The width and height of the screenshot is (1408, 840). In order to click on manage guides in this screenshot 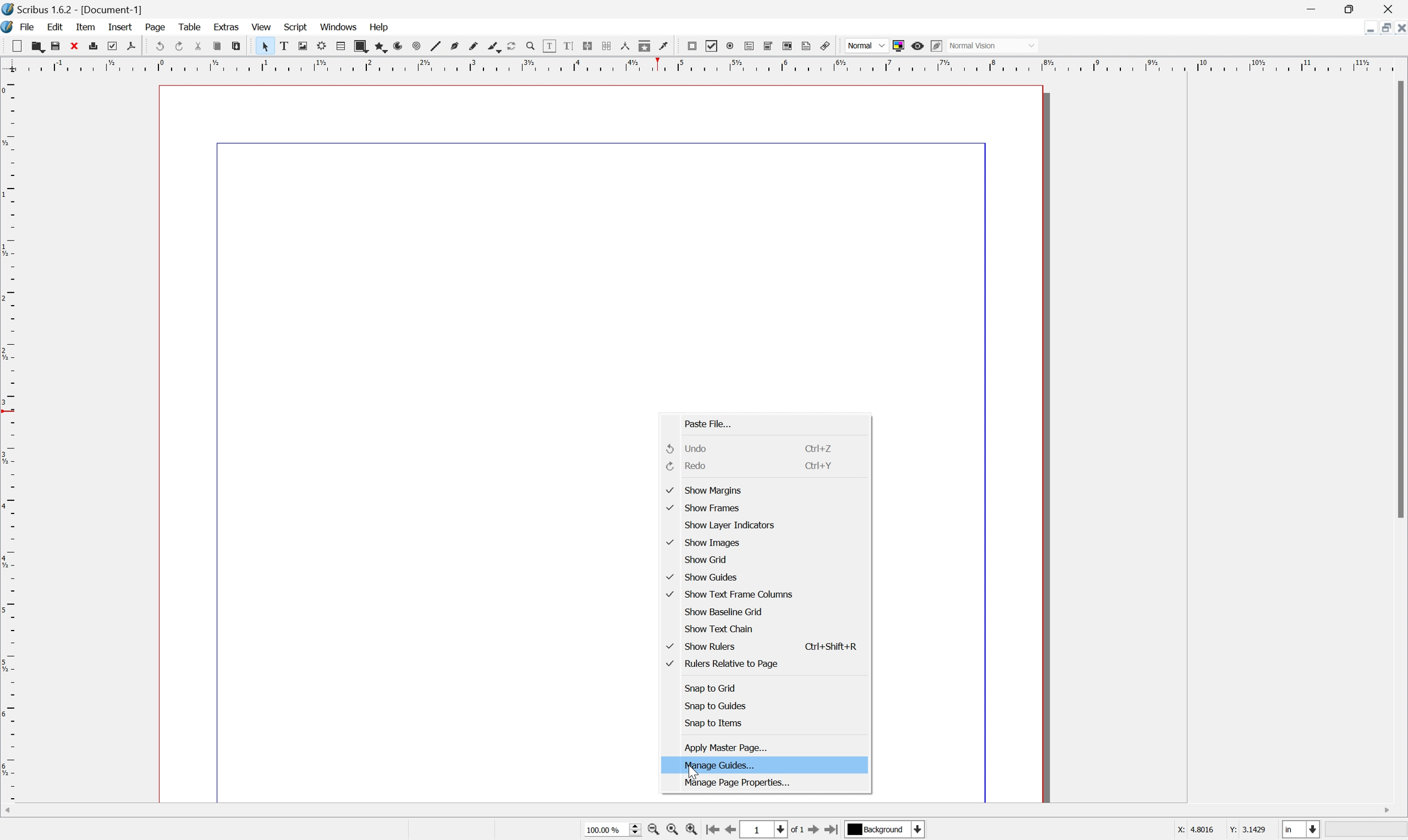, I will do `click(721, 765)`.